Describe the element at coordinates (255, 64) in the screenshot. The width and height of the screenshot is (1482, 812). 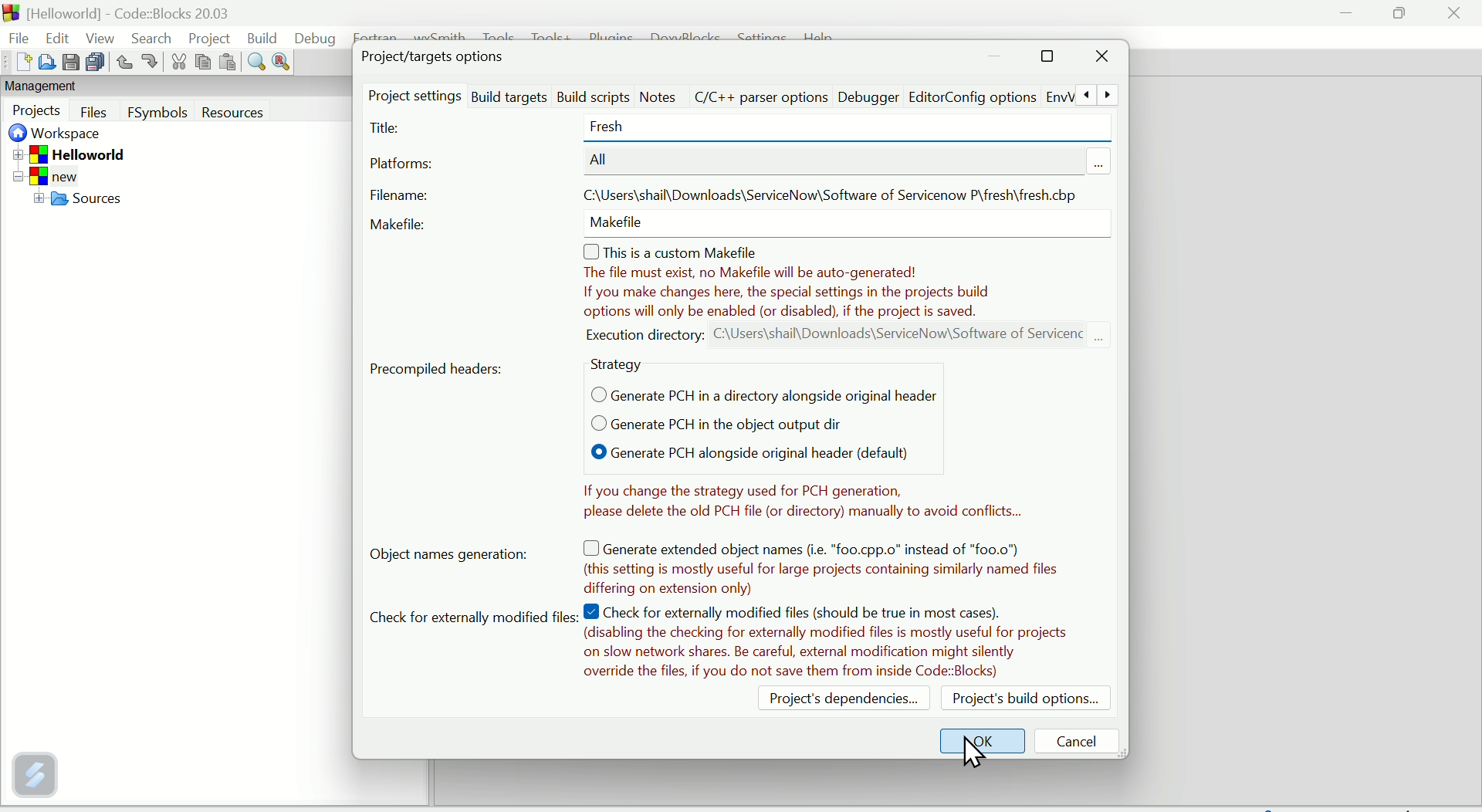
I see `Find` at that location.